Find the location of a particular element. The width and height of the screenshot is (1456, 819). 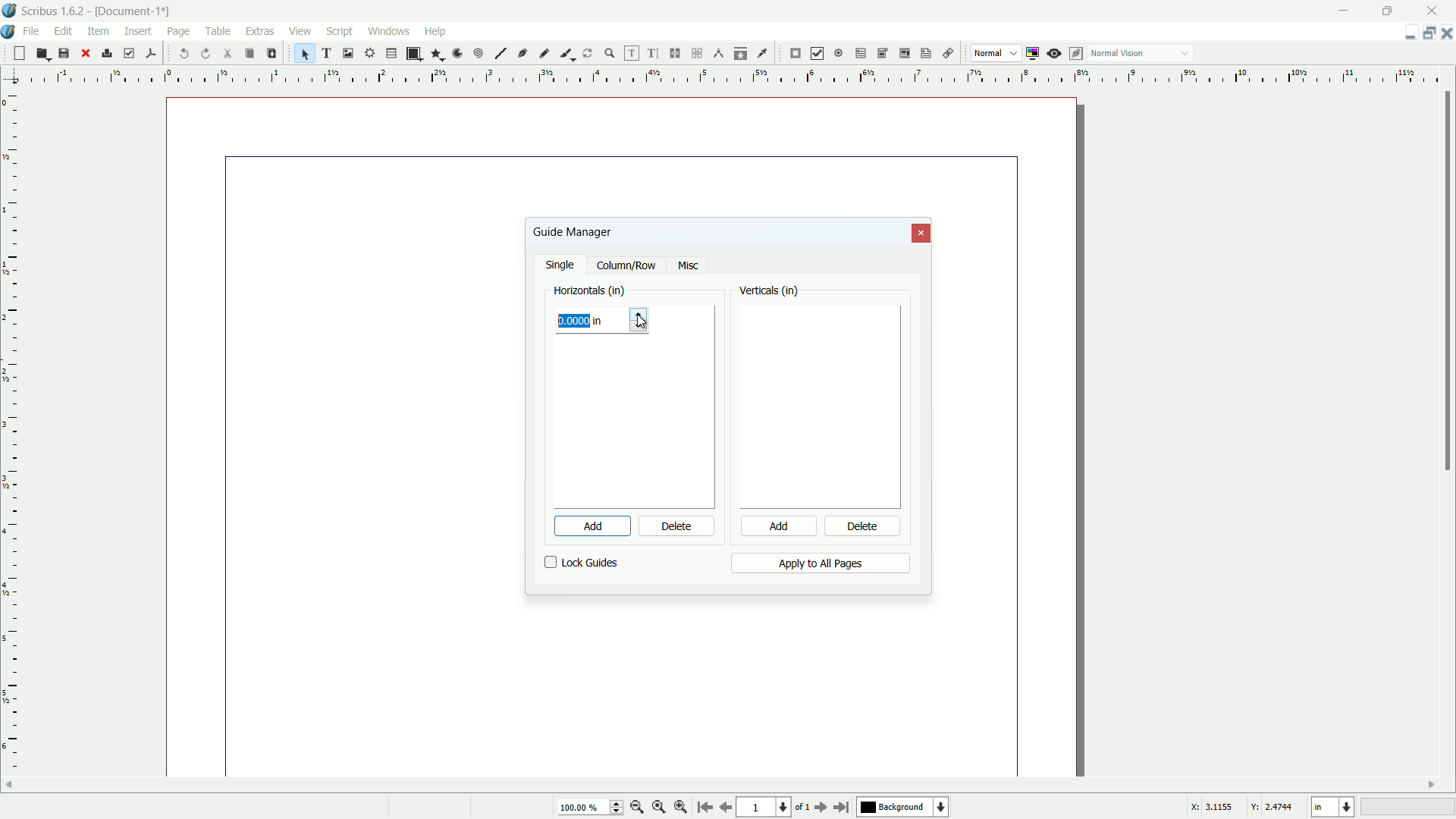

shape is located at coordinates (413, 54).